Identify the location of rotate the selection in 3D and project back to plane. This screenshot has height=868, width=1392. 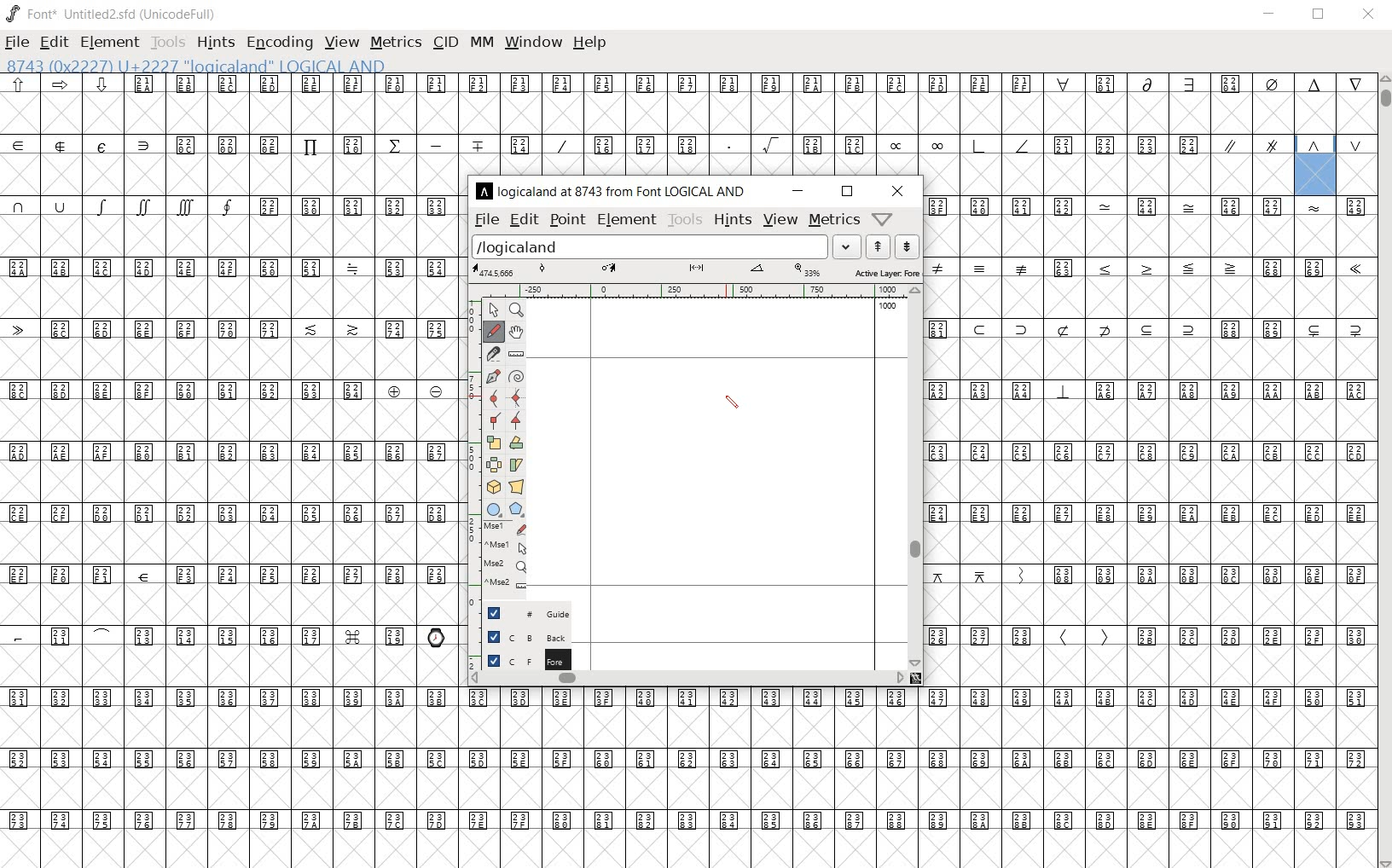
(493, 488).